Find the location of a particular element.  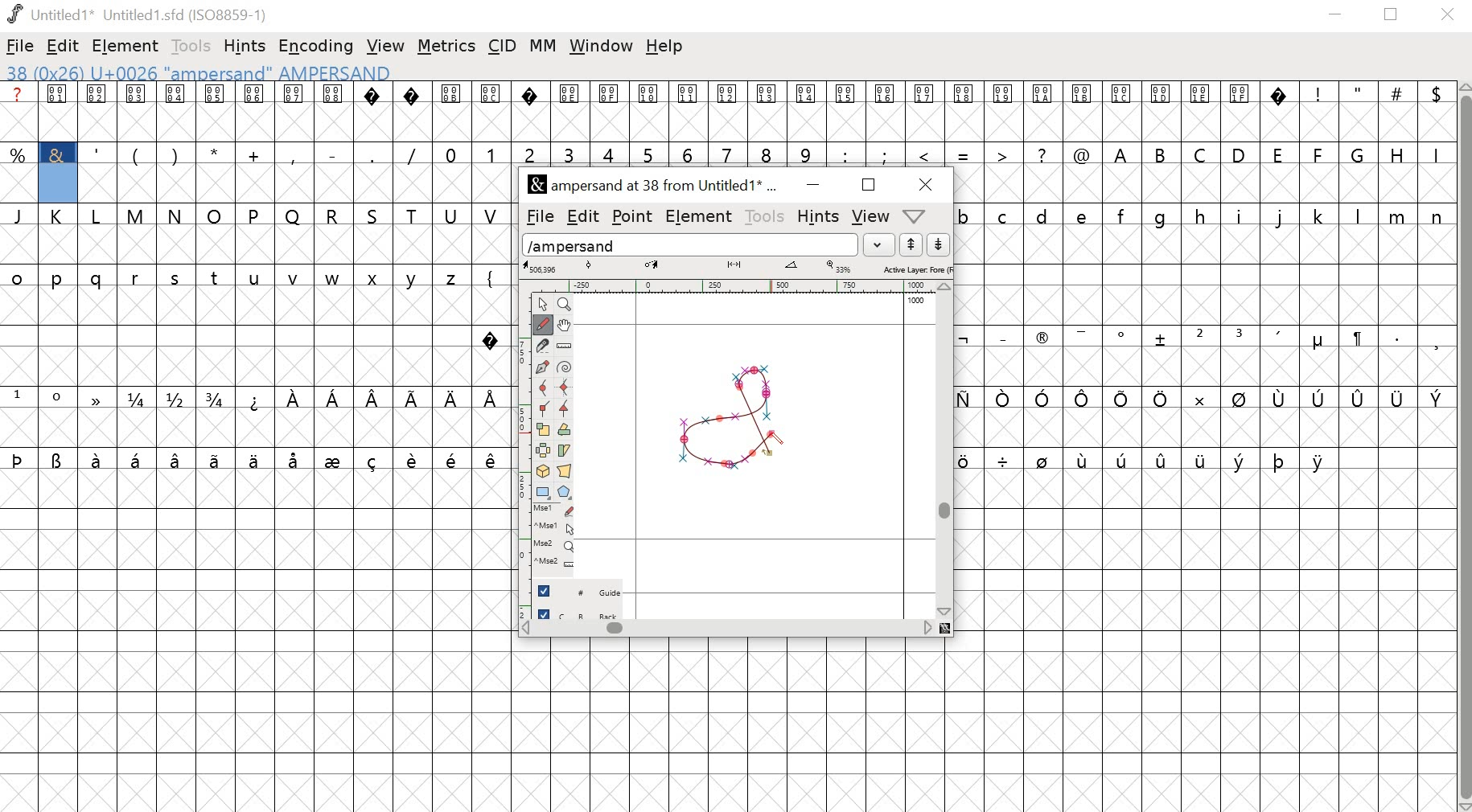

C is located at coordinates (1203, 154).